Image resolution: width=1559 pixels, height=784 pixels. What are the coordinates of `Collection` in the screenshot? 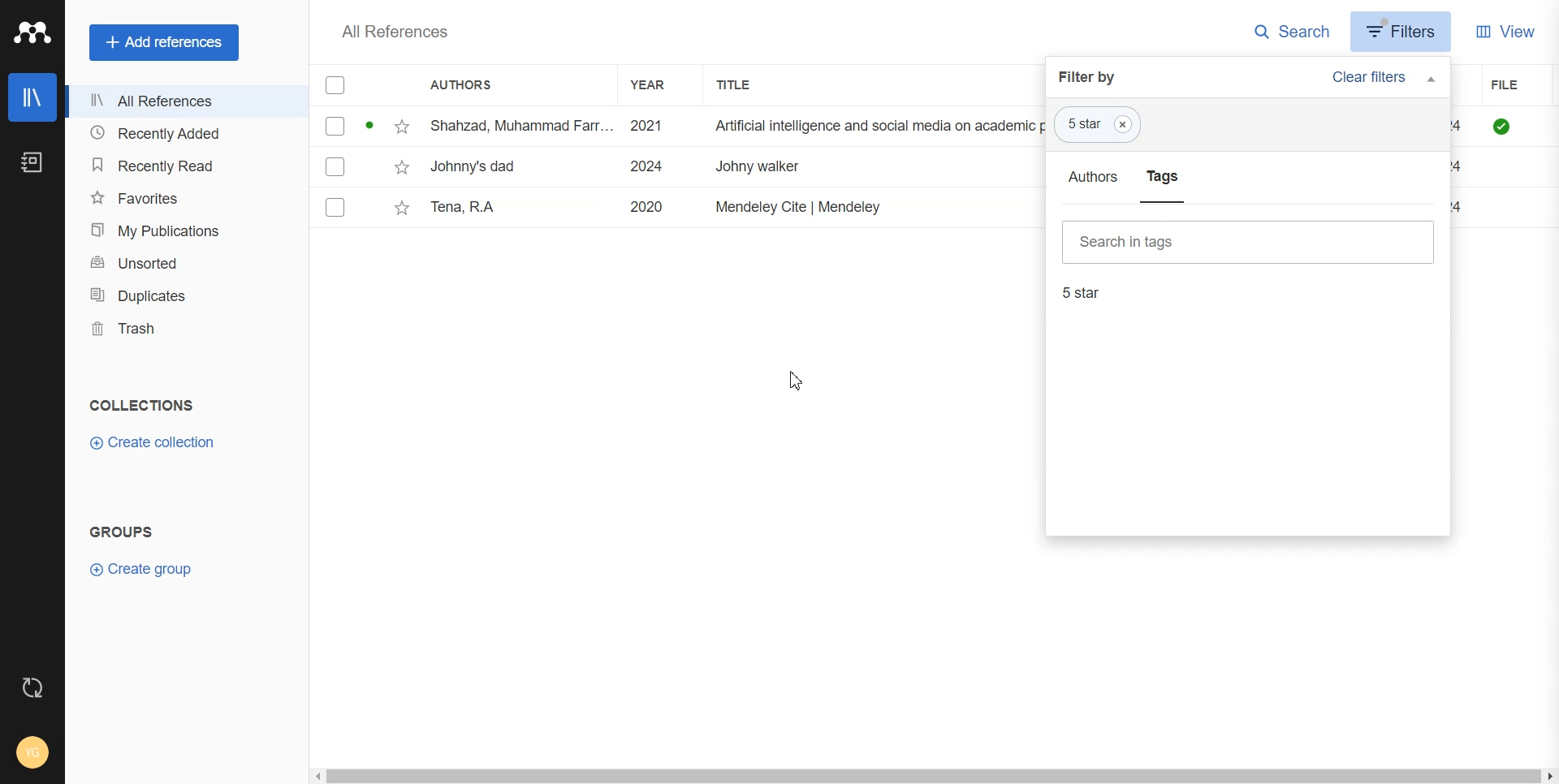 It's located at (143, 405).